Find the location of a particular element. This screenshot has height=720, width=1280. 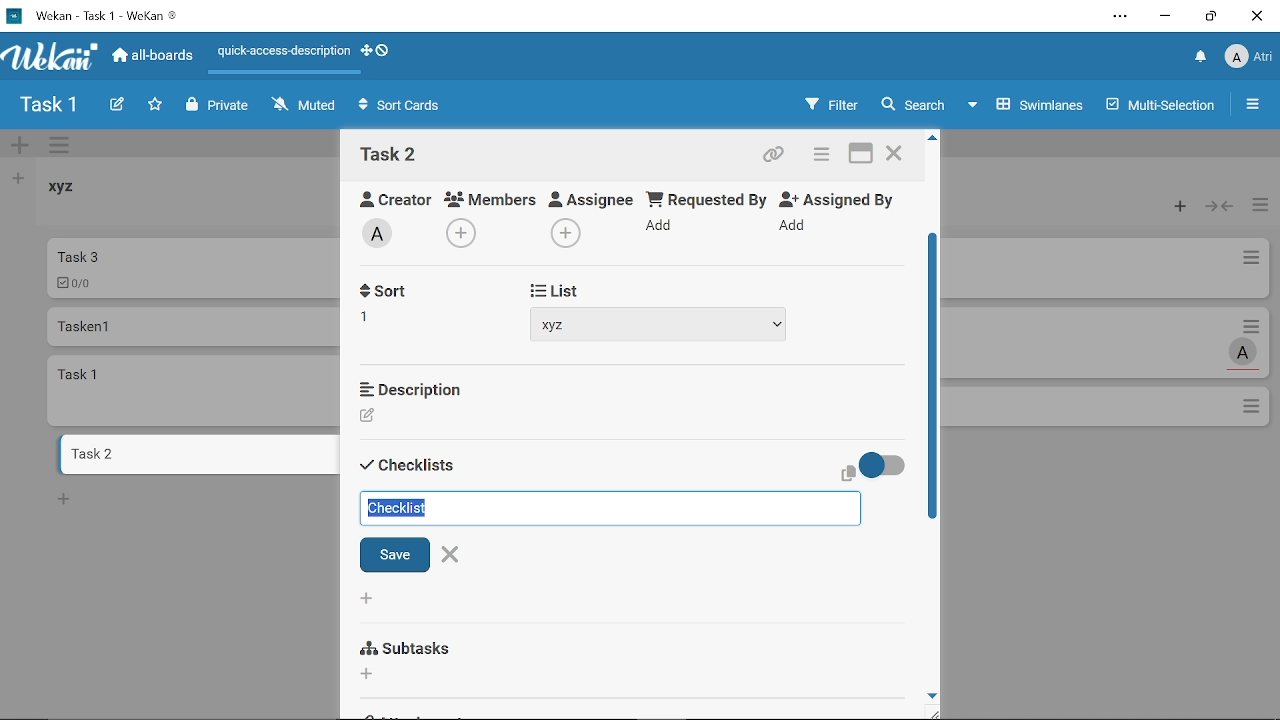

Add is located at coordinates (368, 600).